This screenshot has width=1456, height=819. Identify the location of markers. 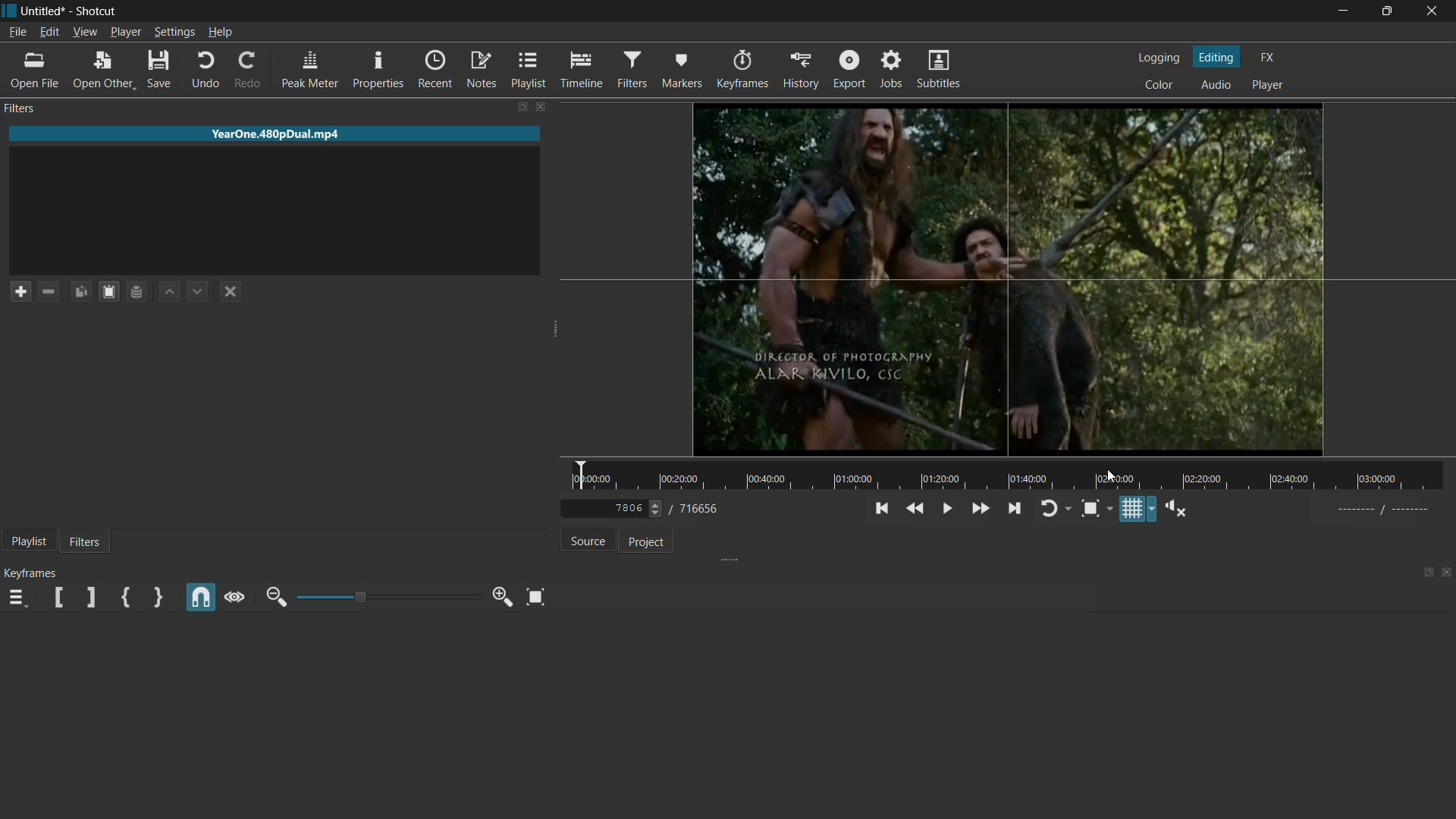
(682, 69).